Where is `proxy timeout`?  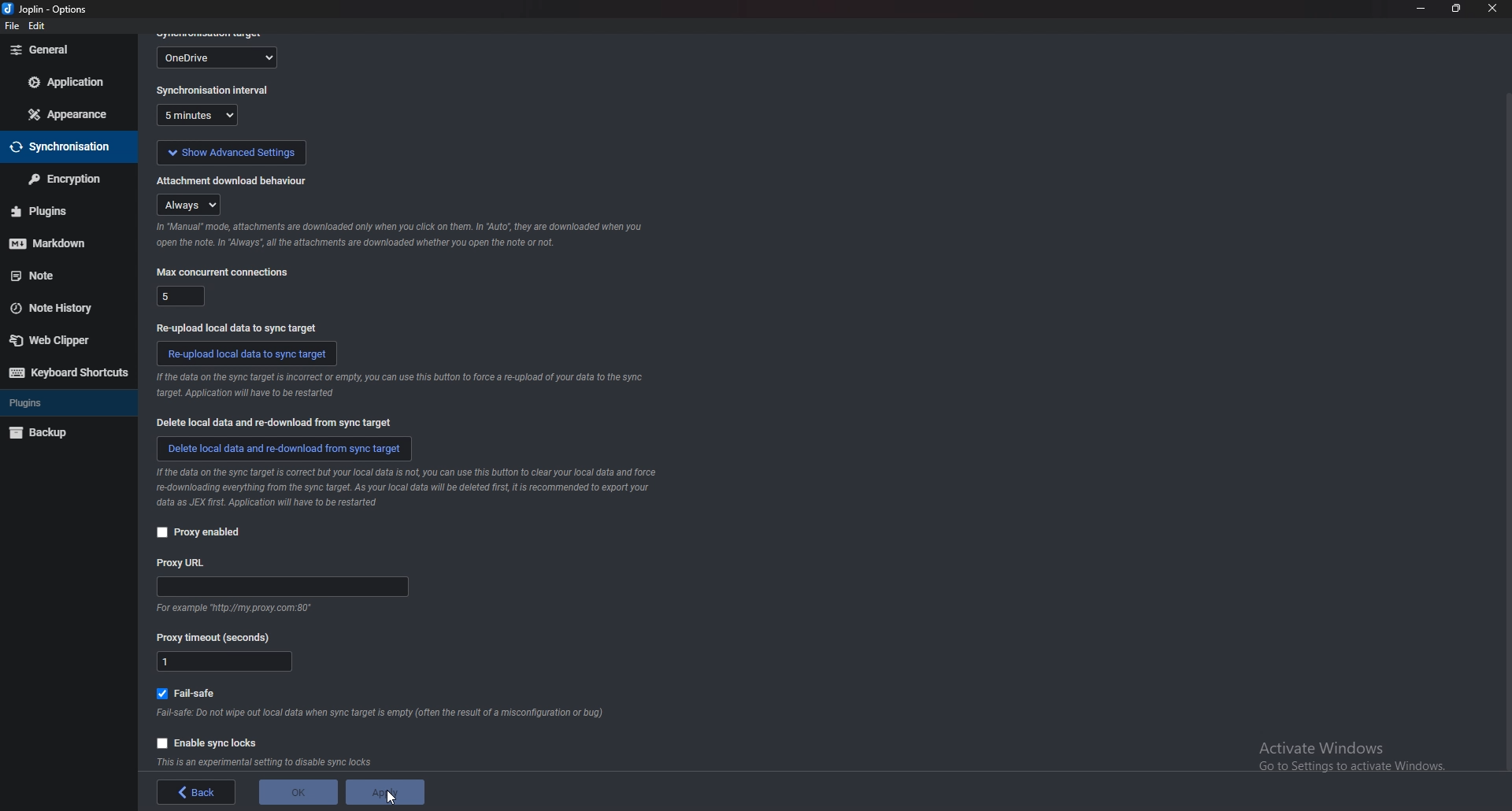 proxy timeout is located at coordinates (220, 637).